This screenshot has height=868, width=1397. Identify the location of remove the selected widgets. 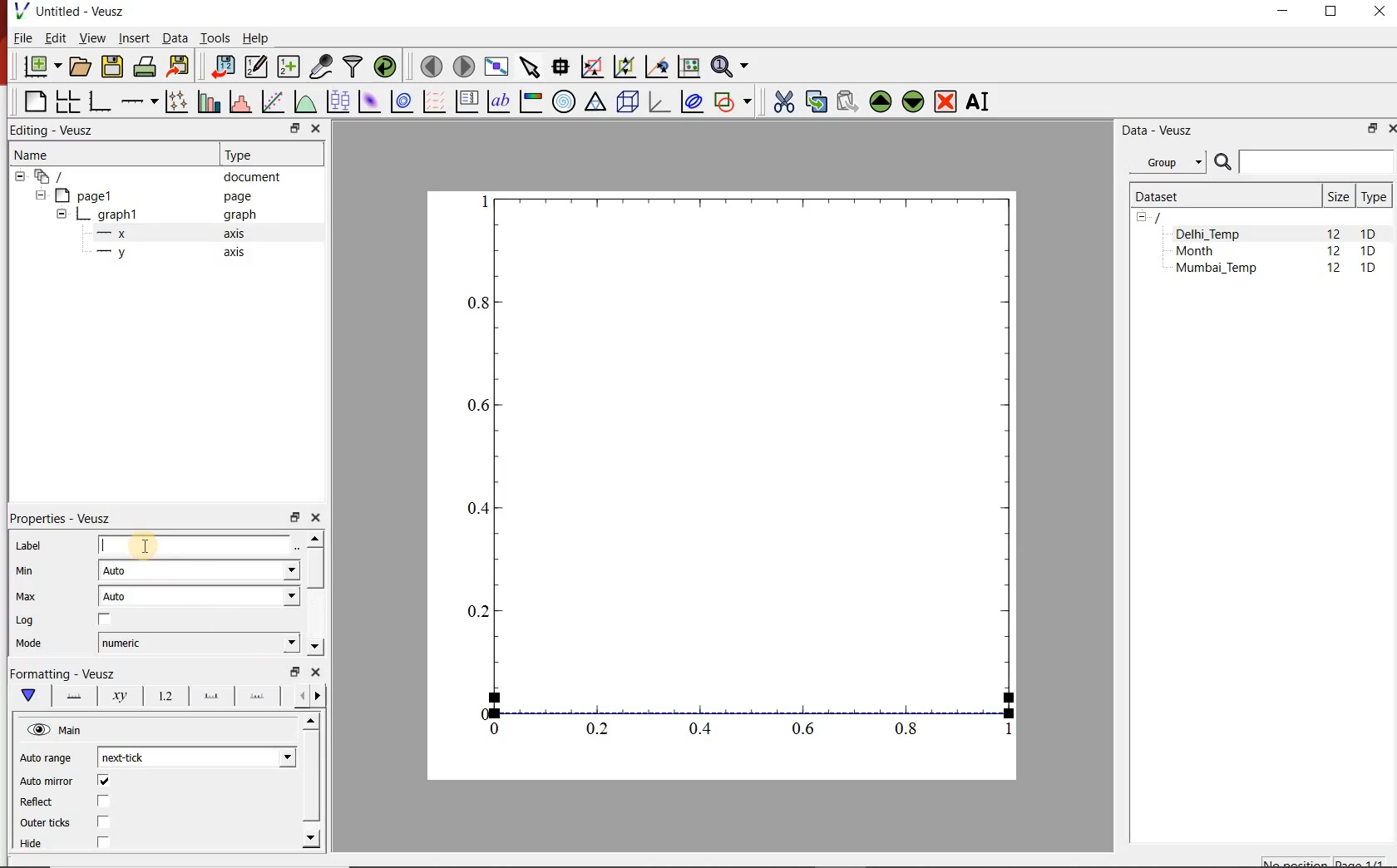
(946, 101).